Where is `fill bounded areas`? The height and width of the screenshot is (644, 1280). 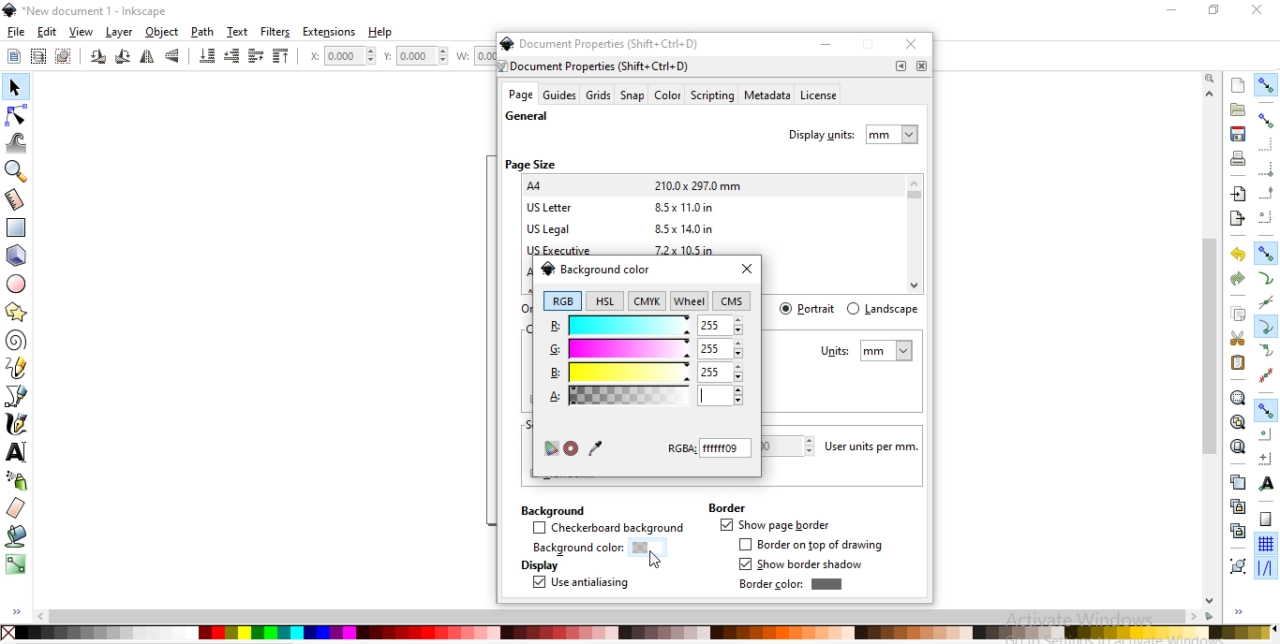
fill bounded areas is located at coordinates (16, 536).